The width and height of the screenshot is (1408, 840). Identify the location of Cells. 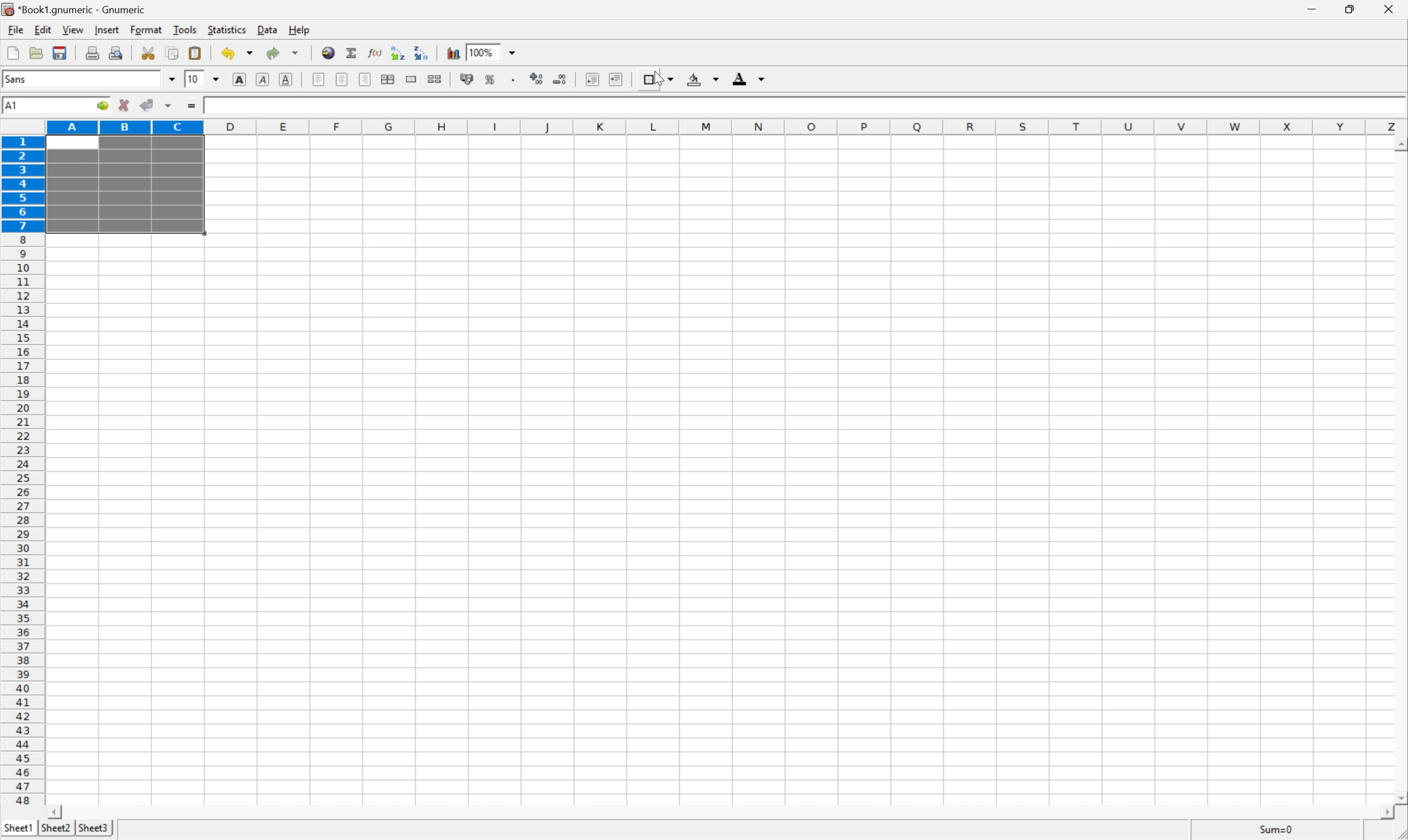
(793, 478).